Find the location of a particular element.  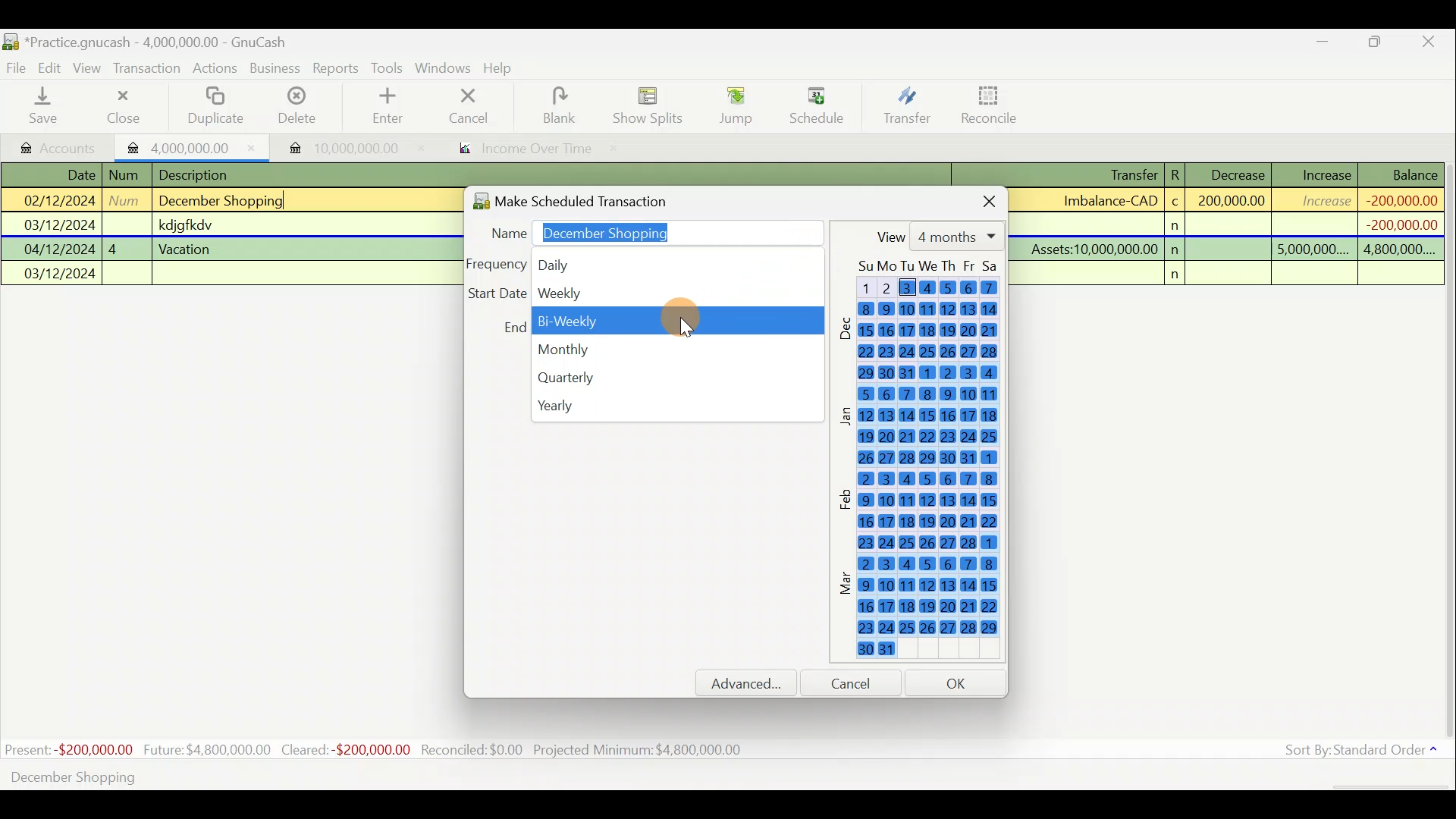

Imported transaction 2 is located at coordinates (339, 148).